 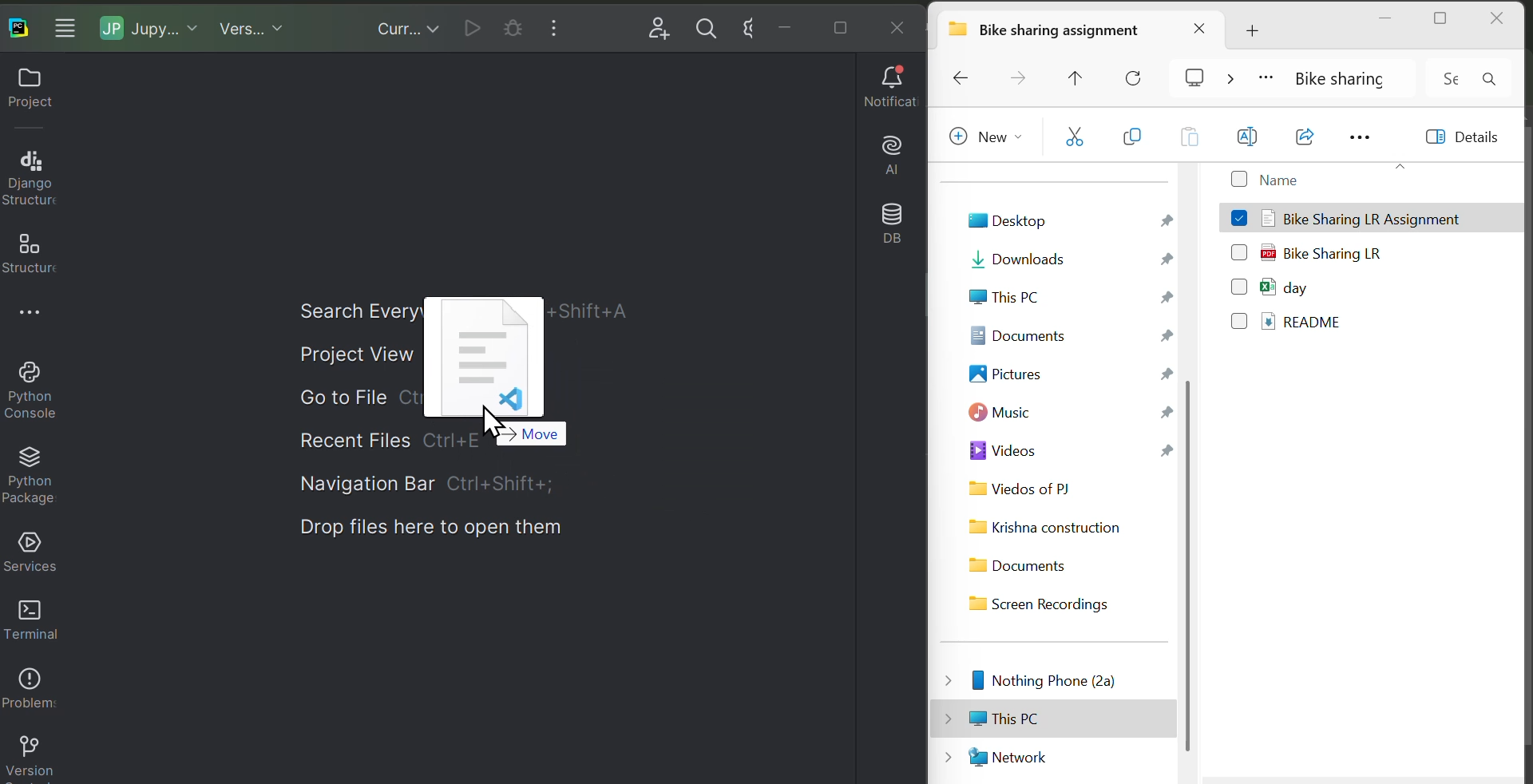 What do you see at coordinates (1311, 137) in the screenshot?
I see `Open with` at bounding box center [1311, 137].